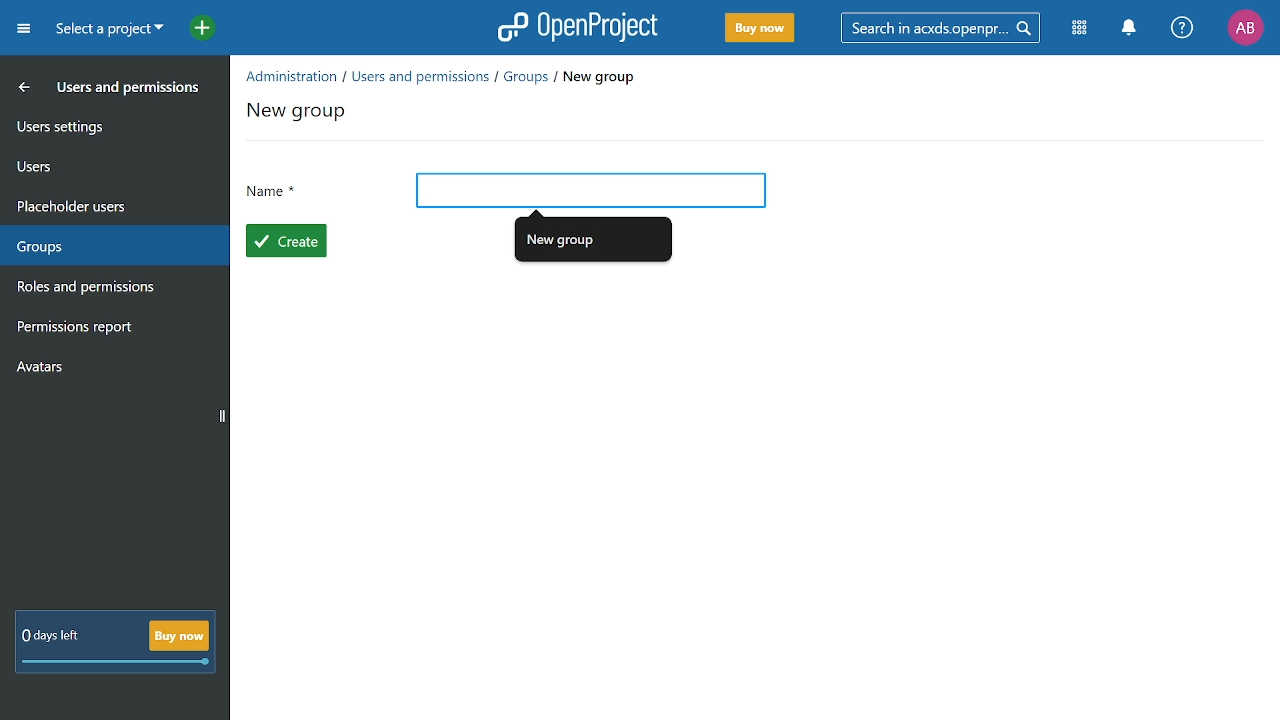 The image size is (1280, 720). I want to click on Users and permission, so click(99, 89).